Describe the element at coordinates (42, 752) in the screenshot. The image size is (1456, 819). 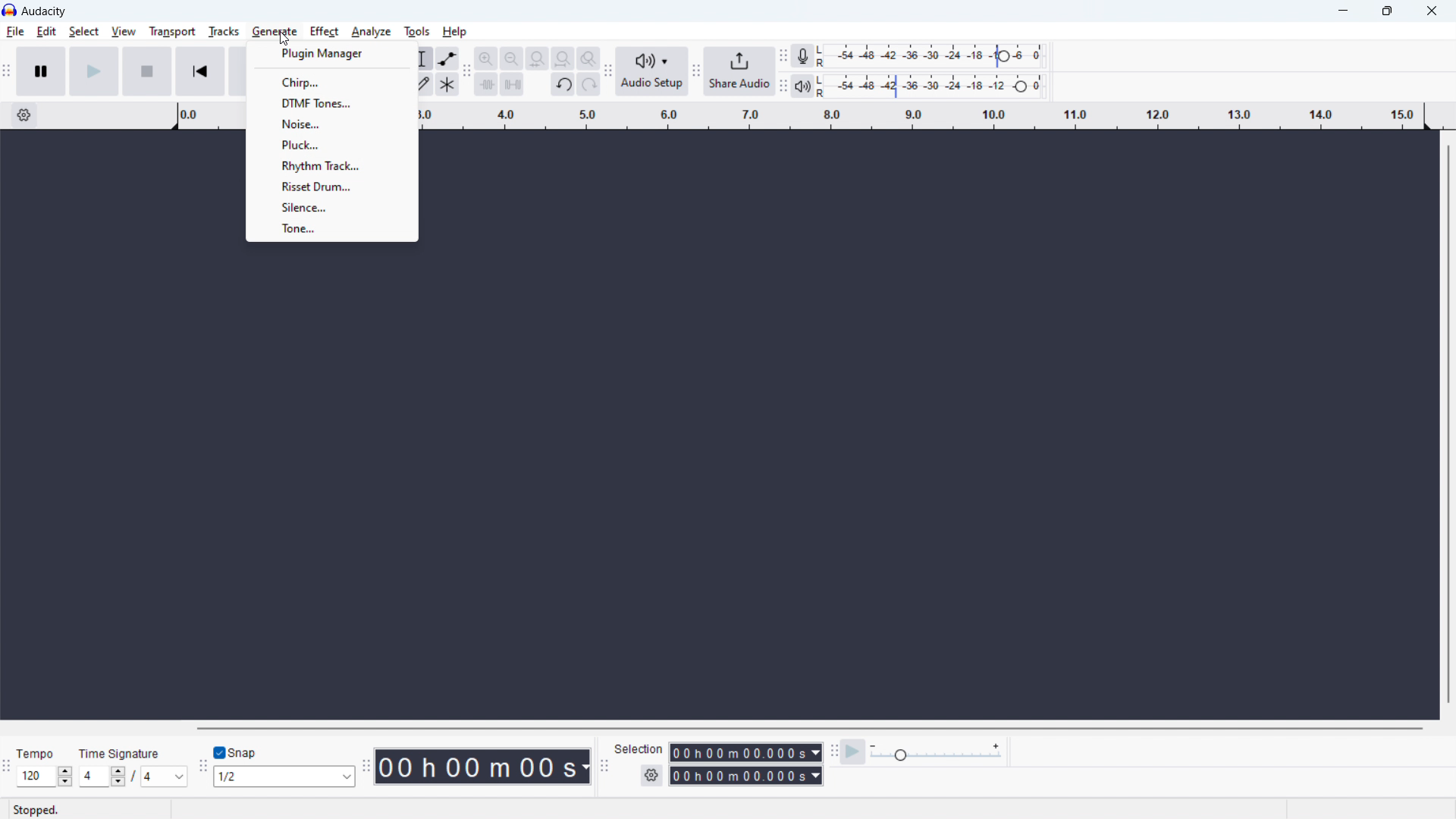
I see `tempo` at that location.